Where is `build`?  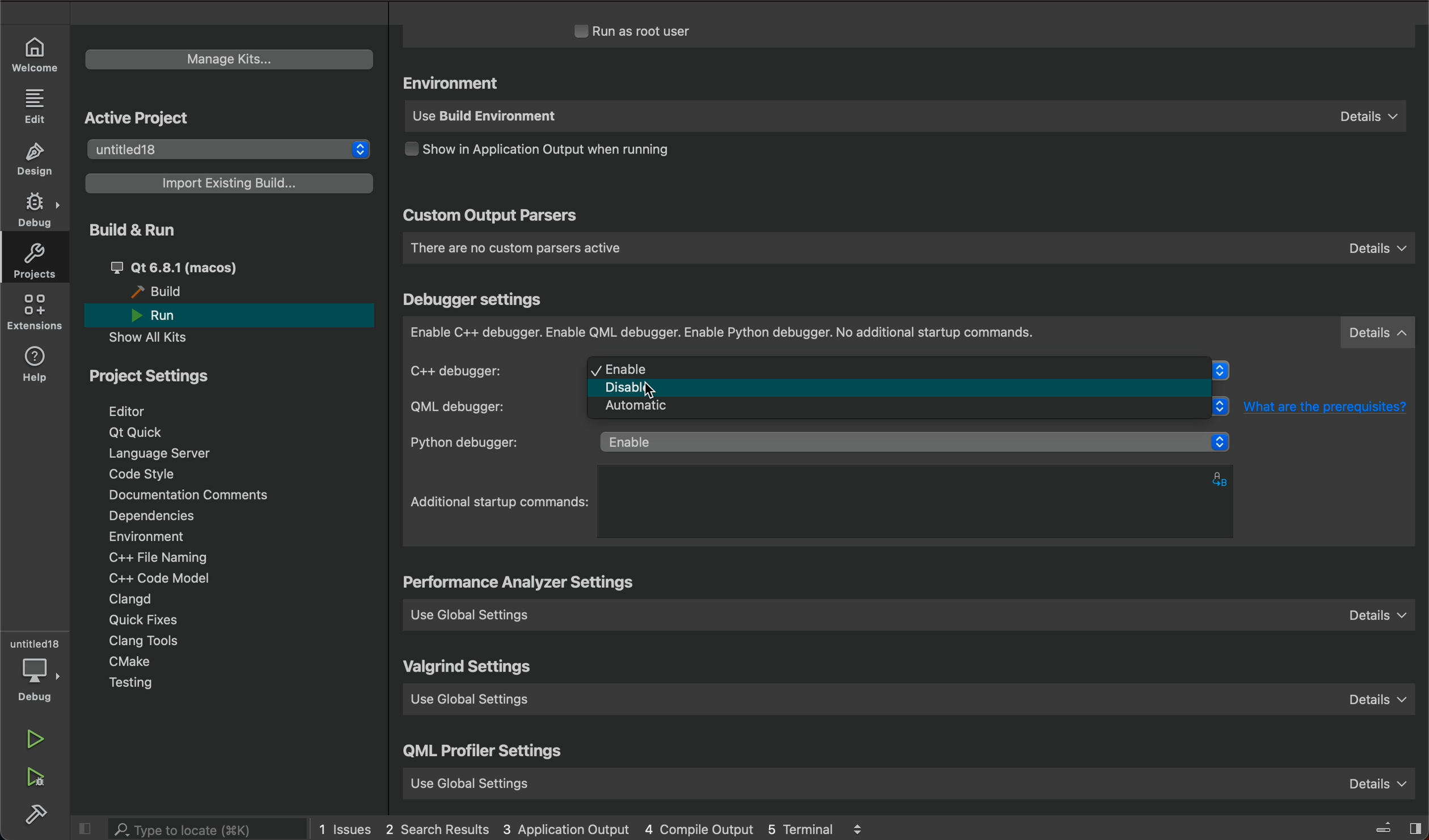
build is located at coordinates (163, 292).